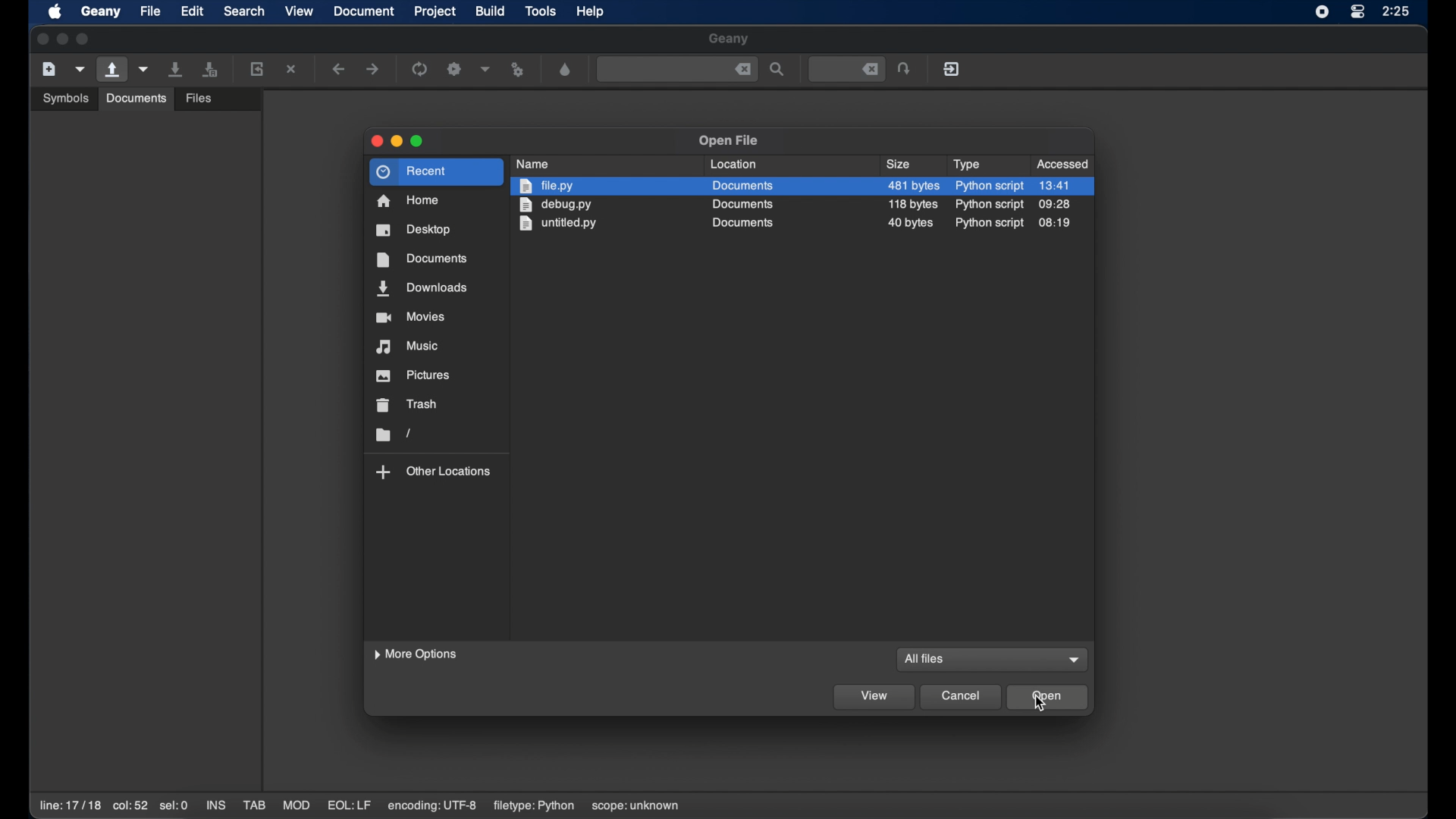  I want to click on navigate backward a location, so click(340, 69).